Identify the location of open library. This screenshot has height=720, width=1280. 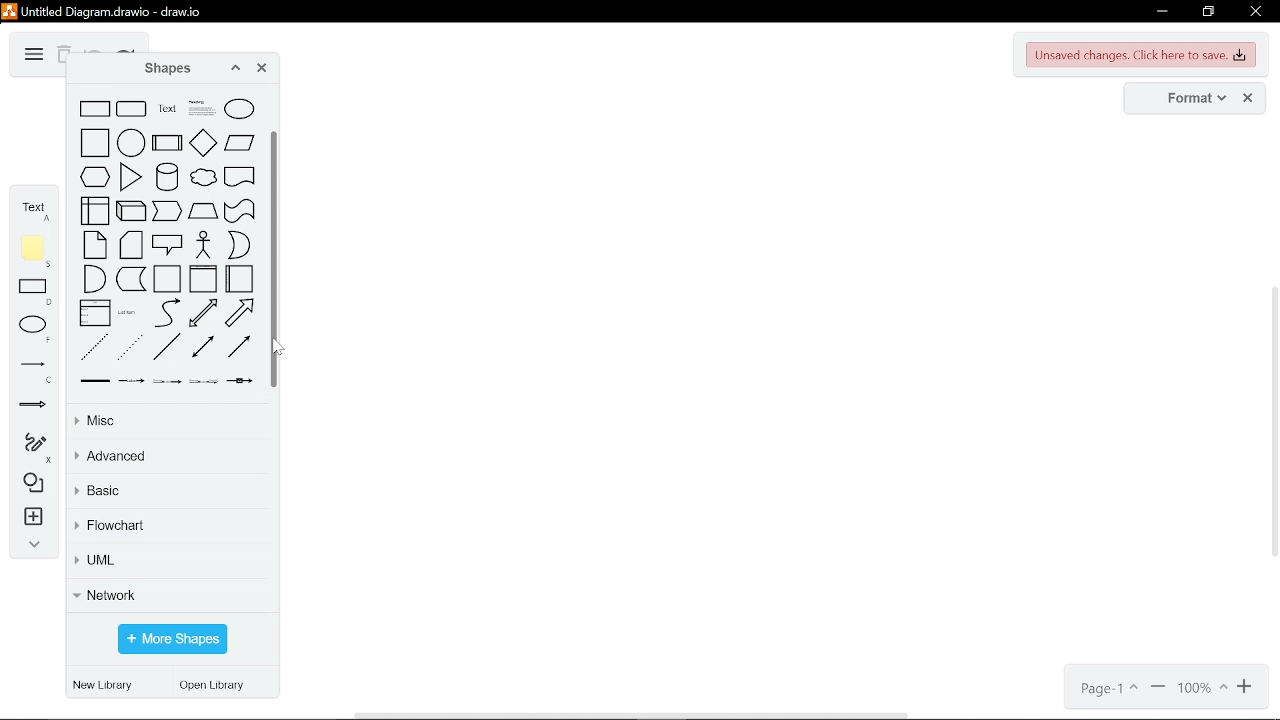
(217, 687).